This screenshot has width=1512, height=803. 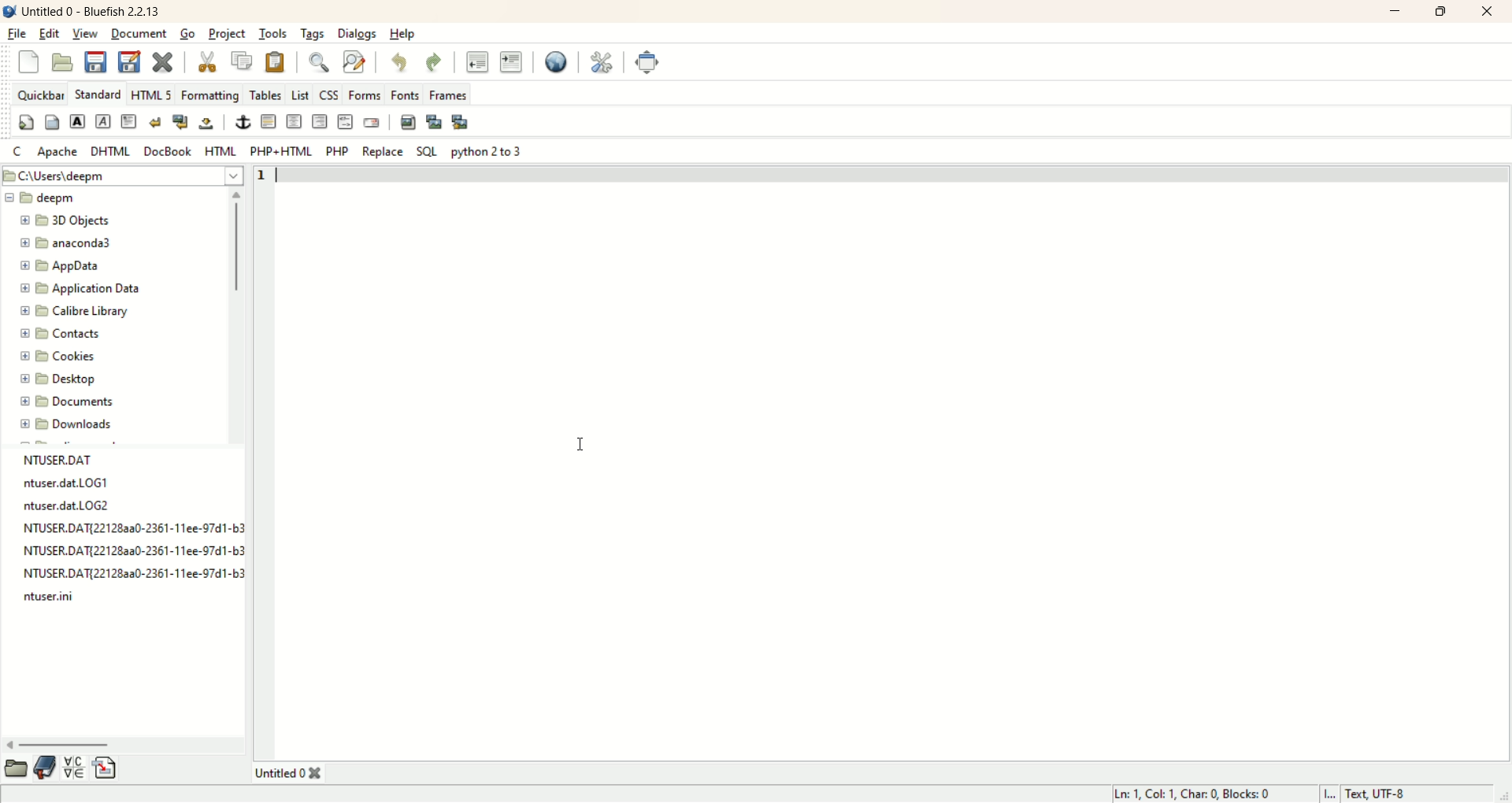 I want to click on new, so click(x=26, y=61).